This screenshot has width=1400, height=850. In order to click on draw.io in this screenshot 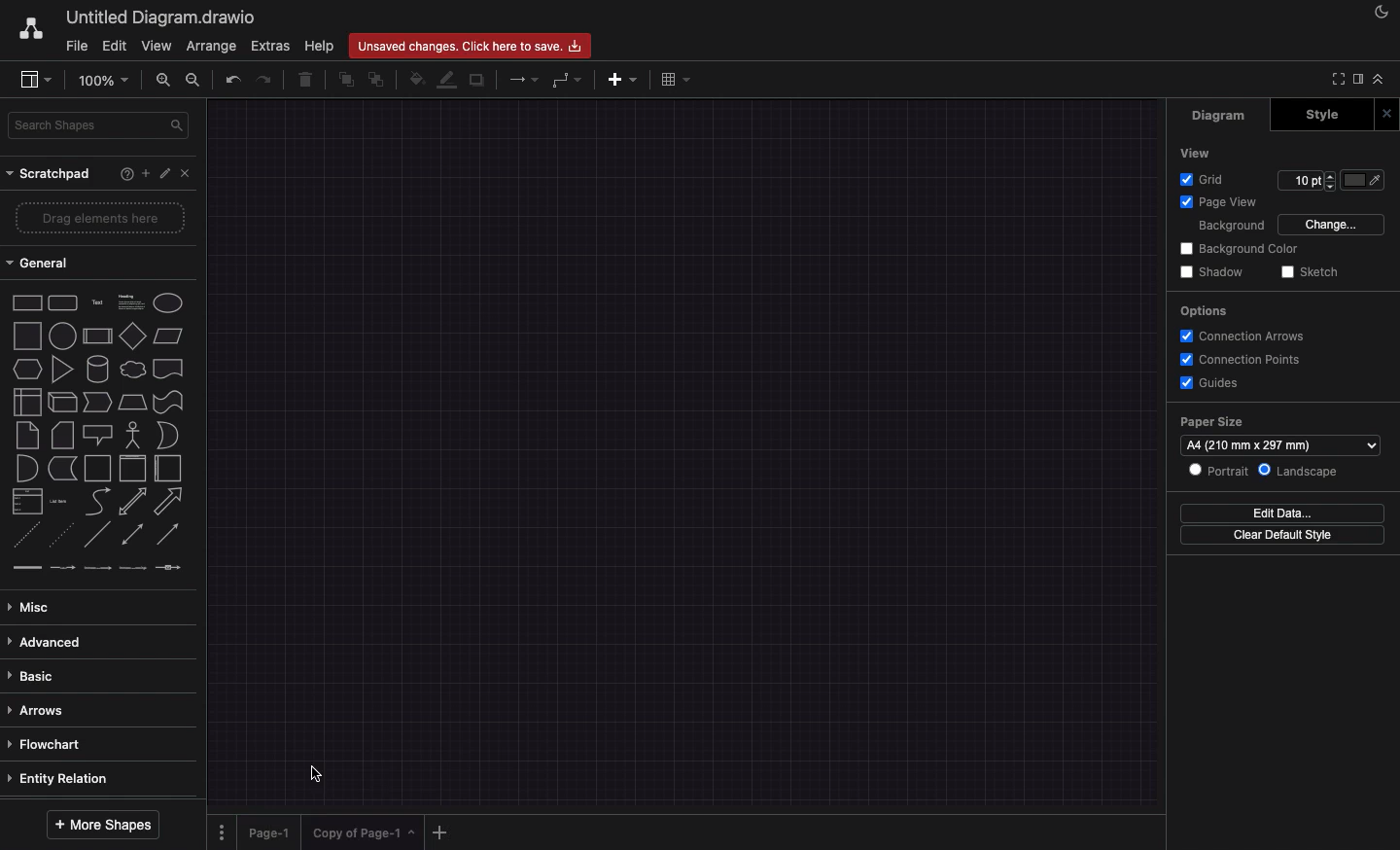, I will do `click(30, 27)`.